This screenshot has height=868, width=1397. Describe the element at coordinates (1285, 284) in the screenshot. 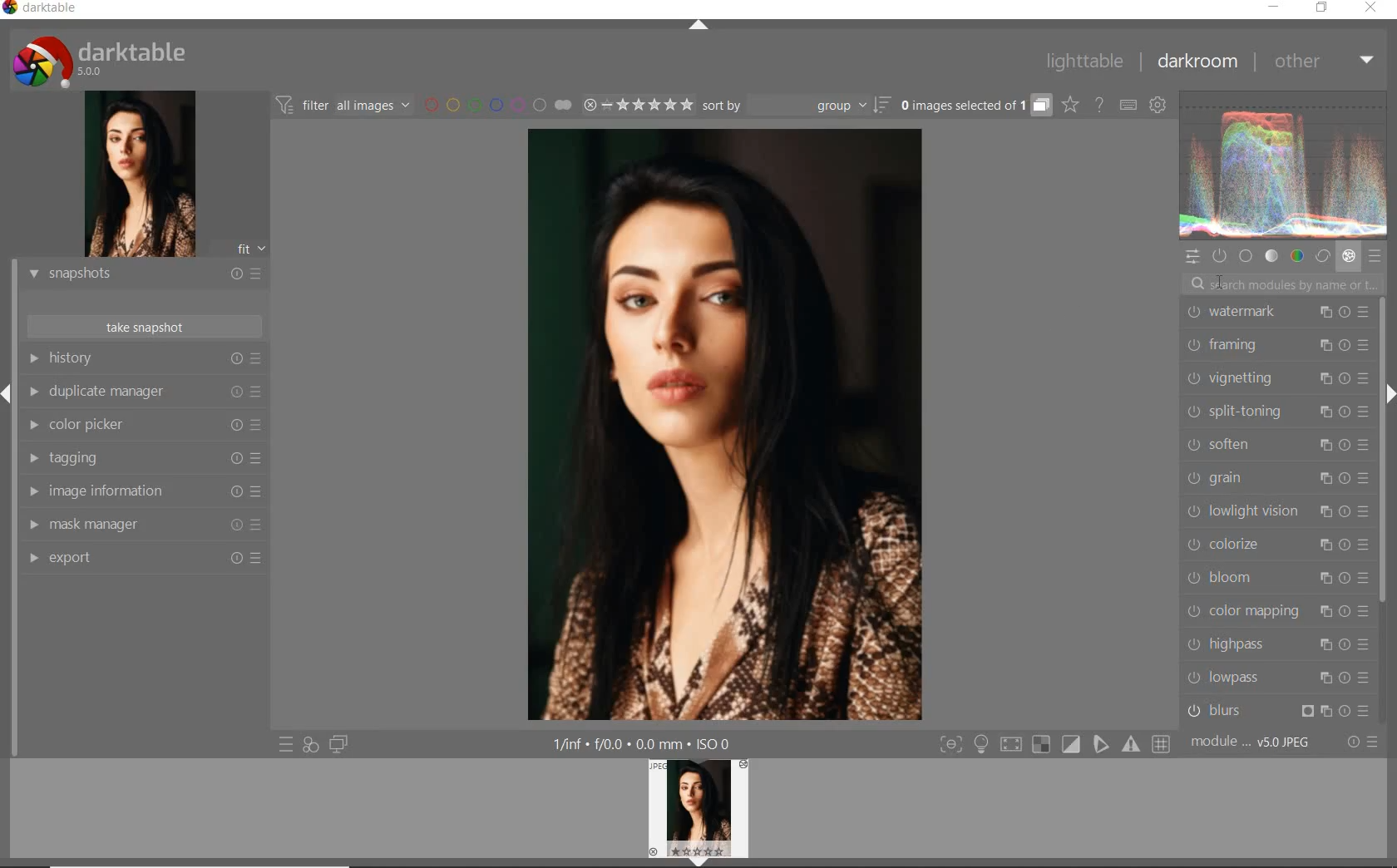

I see `search modules by name` at that location.